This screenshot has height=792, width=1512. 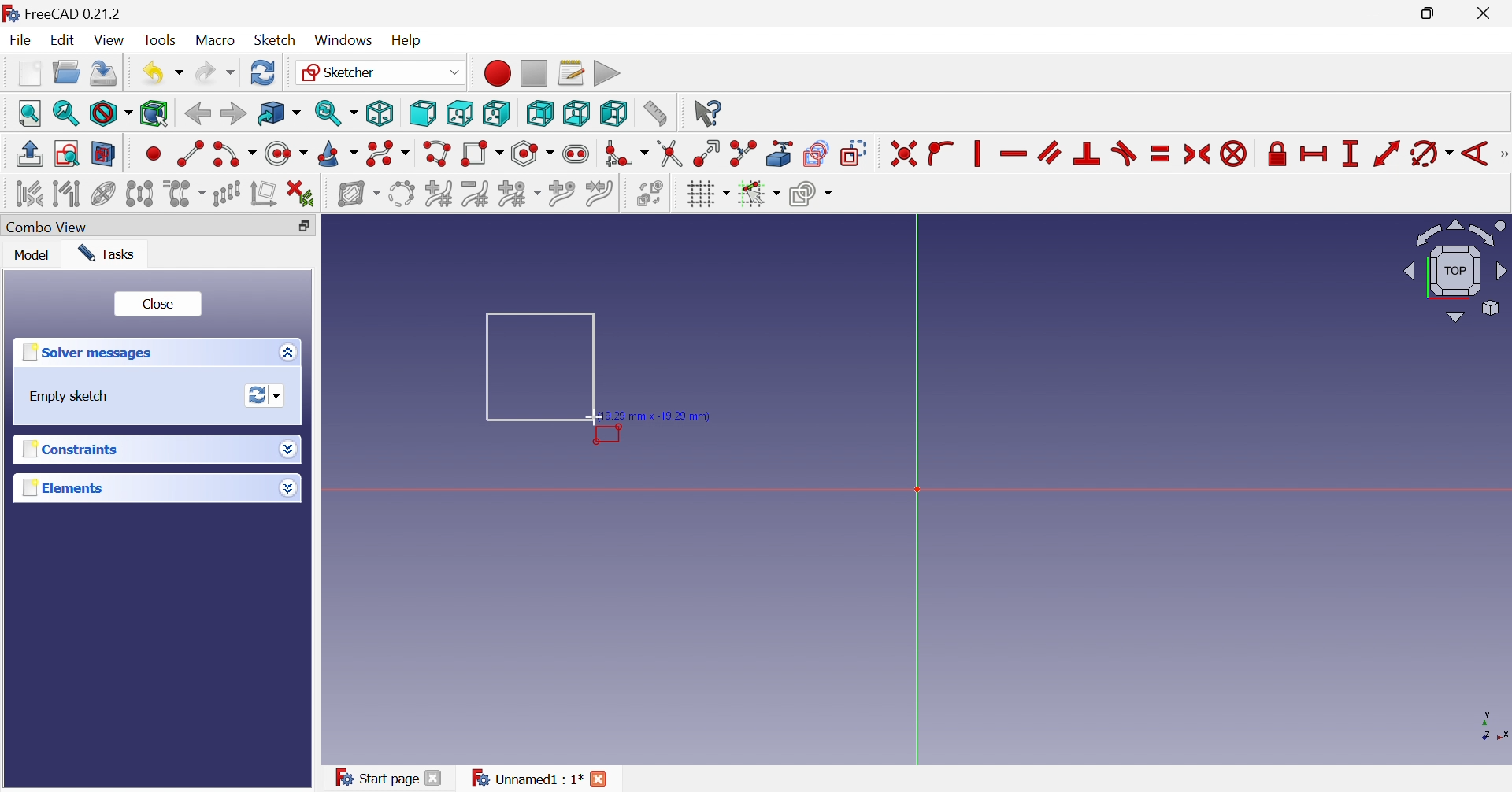 What do you see at coordinates (1385, 154) in the screenshot?
I see `Constrain distance` at bounding box center [1385, 154].